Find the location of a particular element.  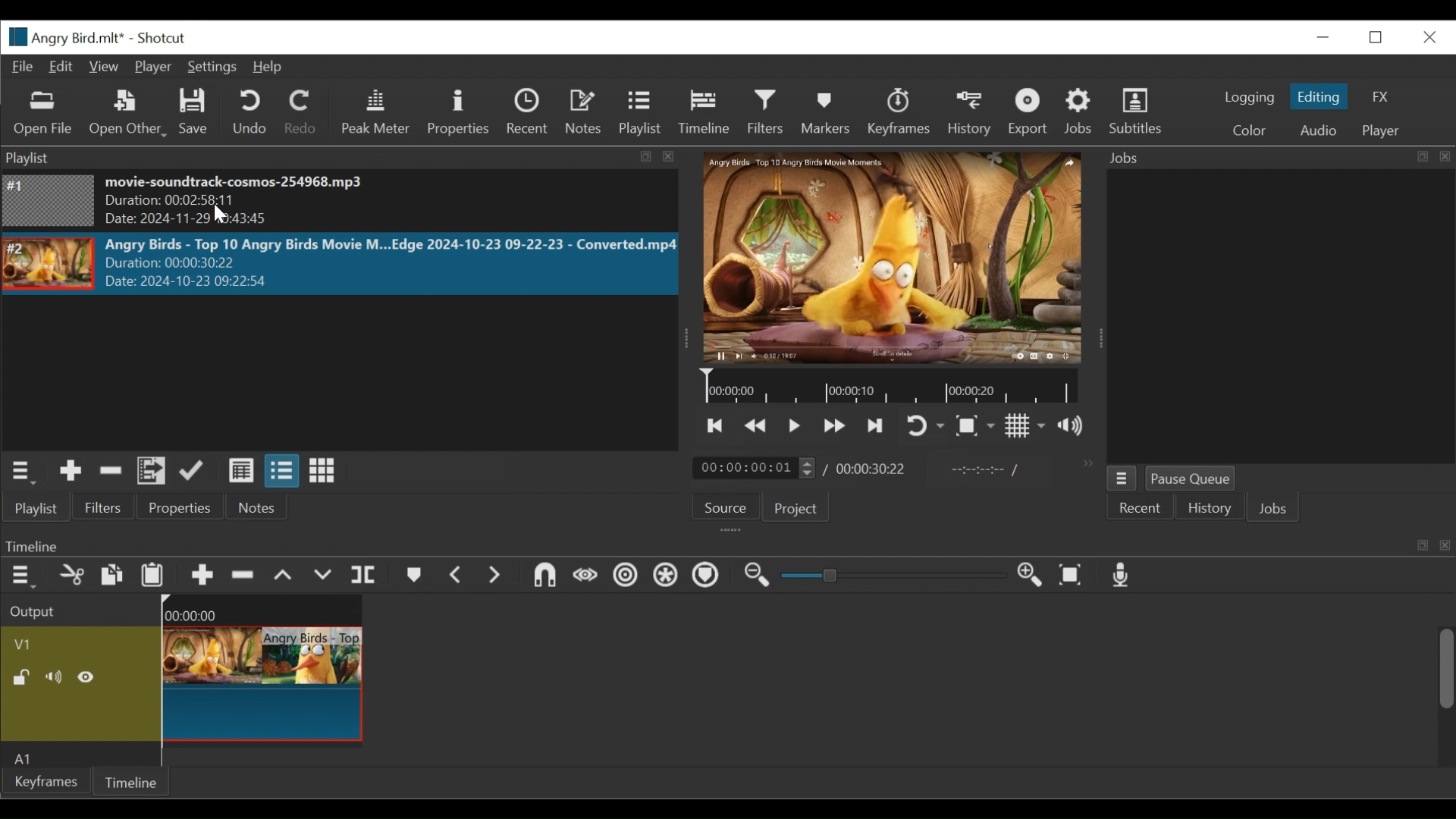

Jobs is located at coordinates (1276, 508).